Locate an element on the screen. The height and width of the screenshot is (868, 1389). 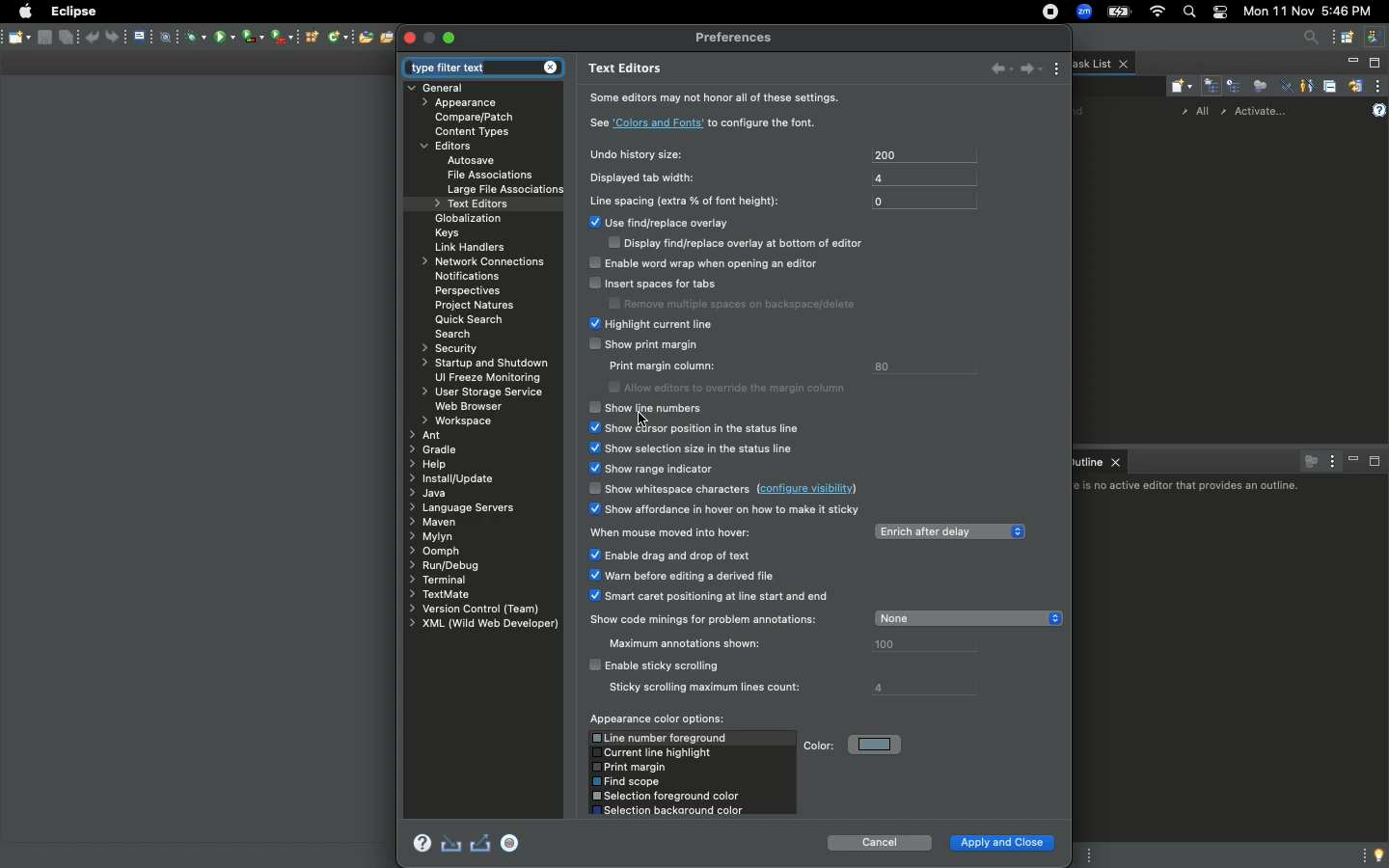
Gradle is located at coordinates (435, 448).